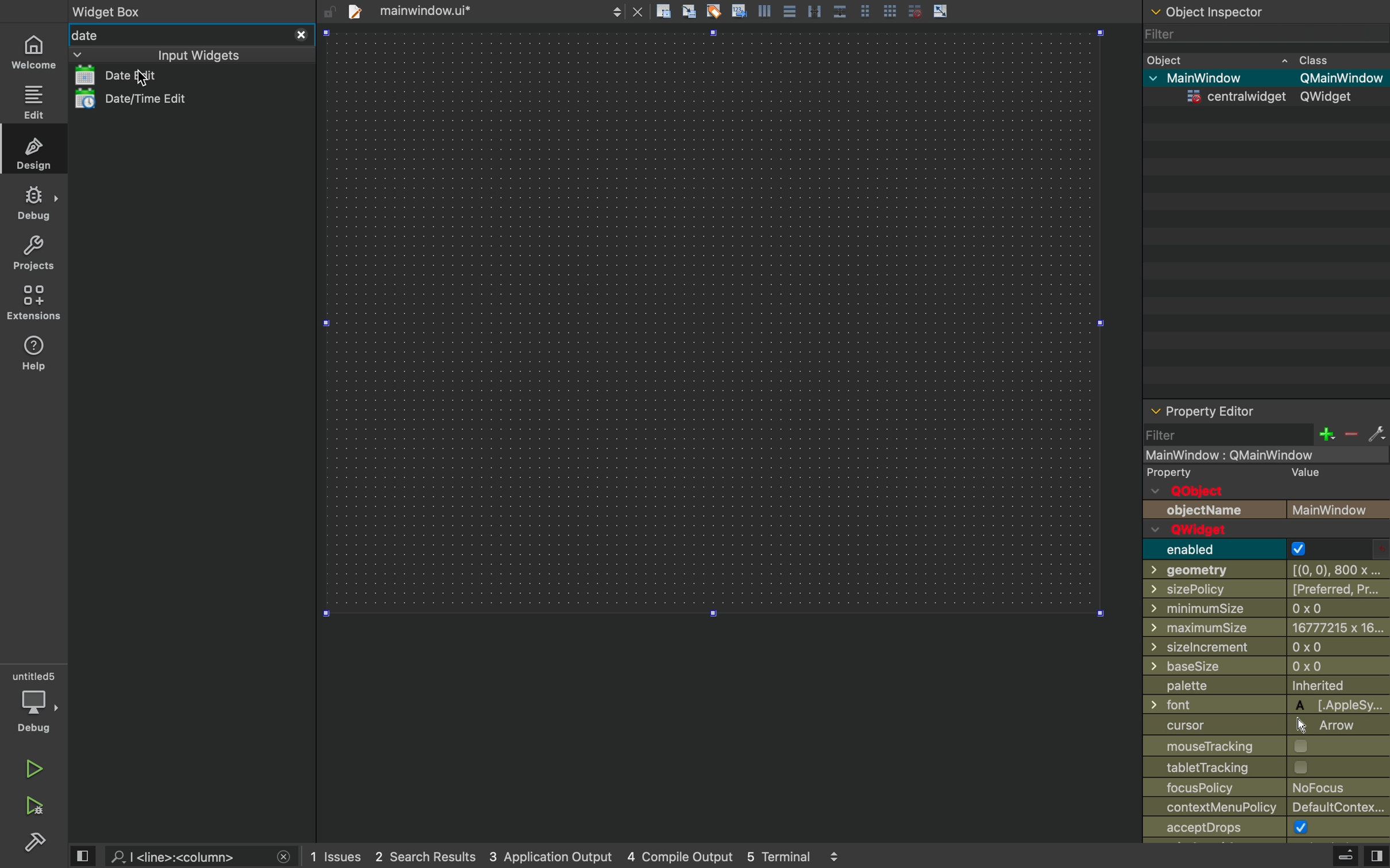 The image size is (1390, 868). Describe the element at coordinates (1266, 511) in the screenshot. I see `object name` at that location.